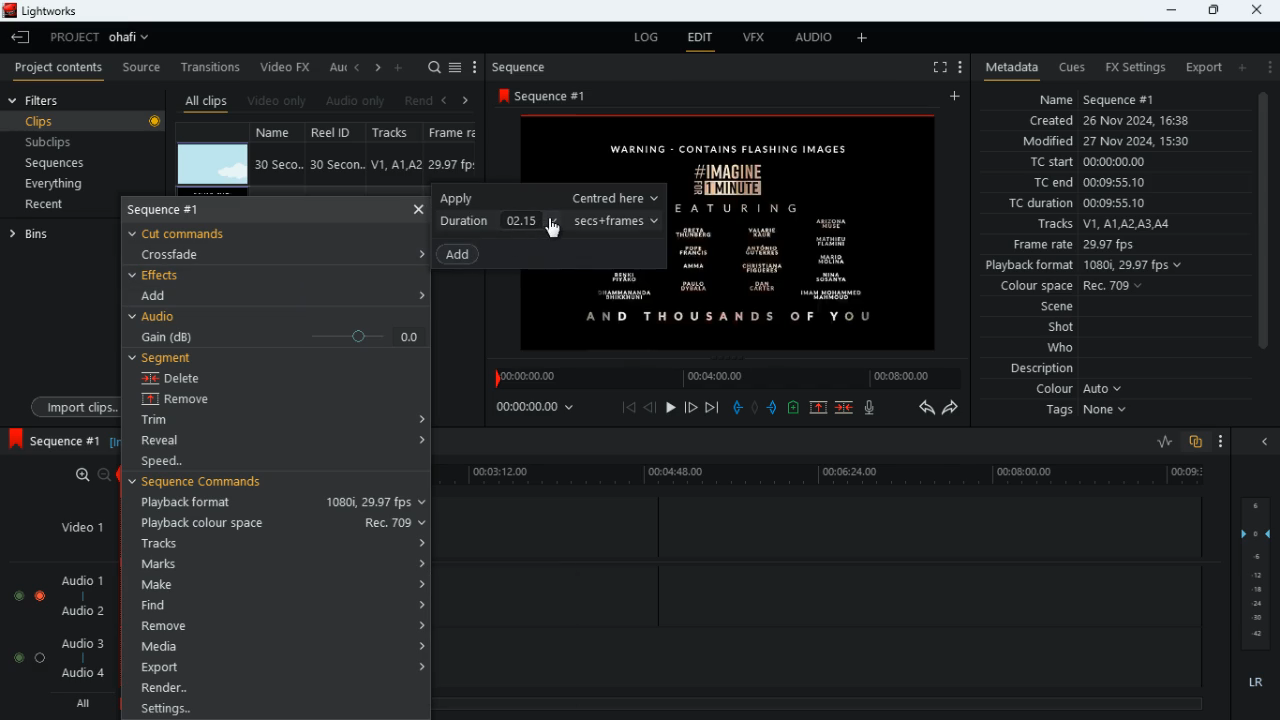 The width and height of the screenshot is (1280, 720). I want to click on rend, so click(418, 102).